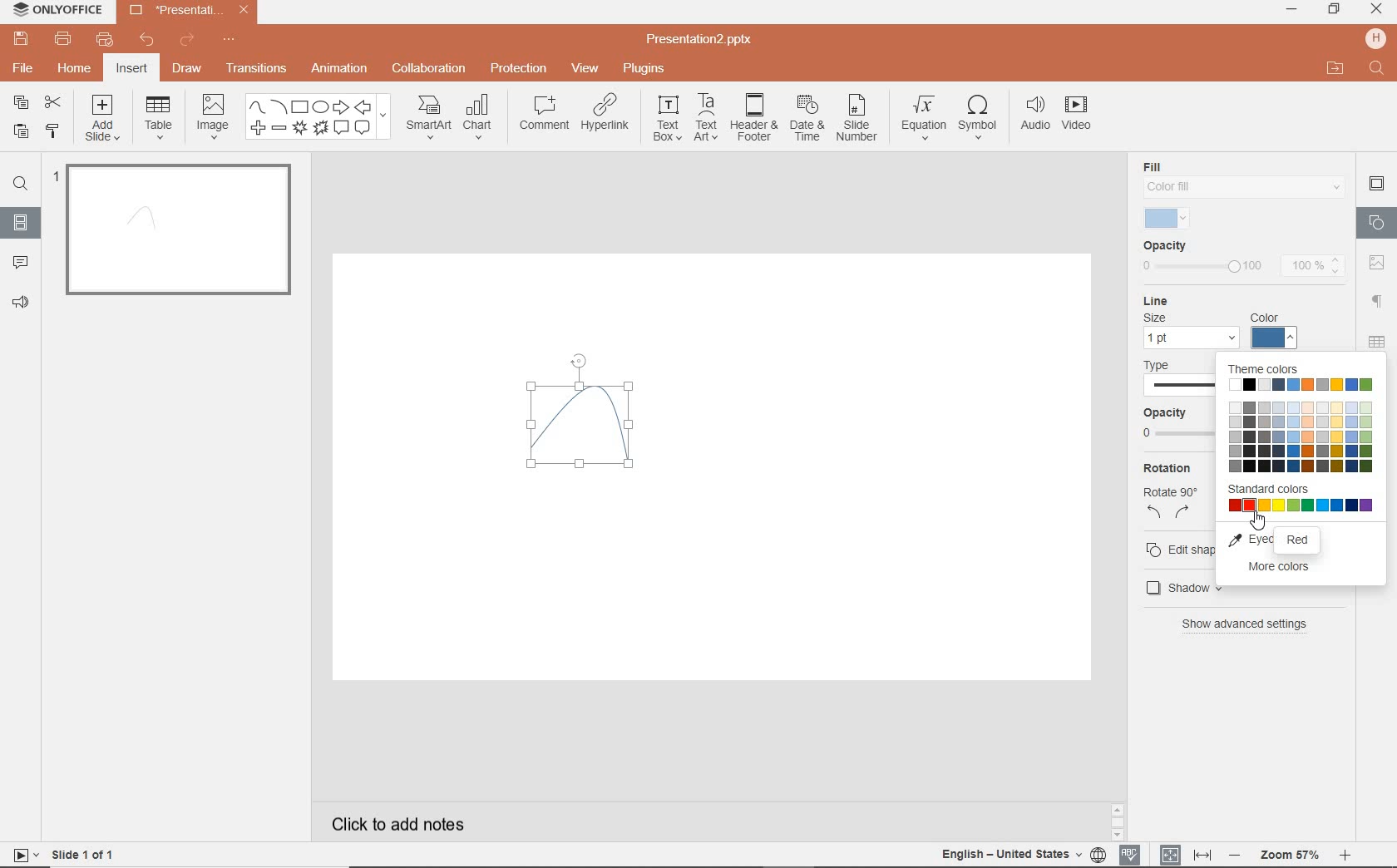 The width and height of the screenshot is (1397, 868). Describe the element at coordinates (25, 70) in the screenshot. I see `FILE ` at that location.